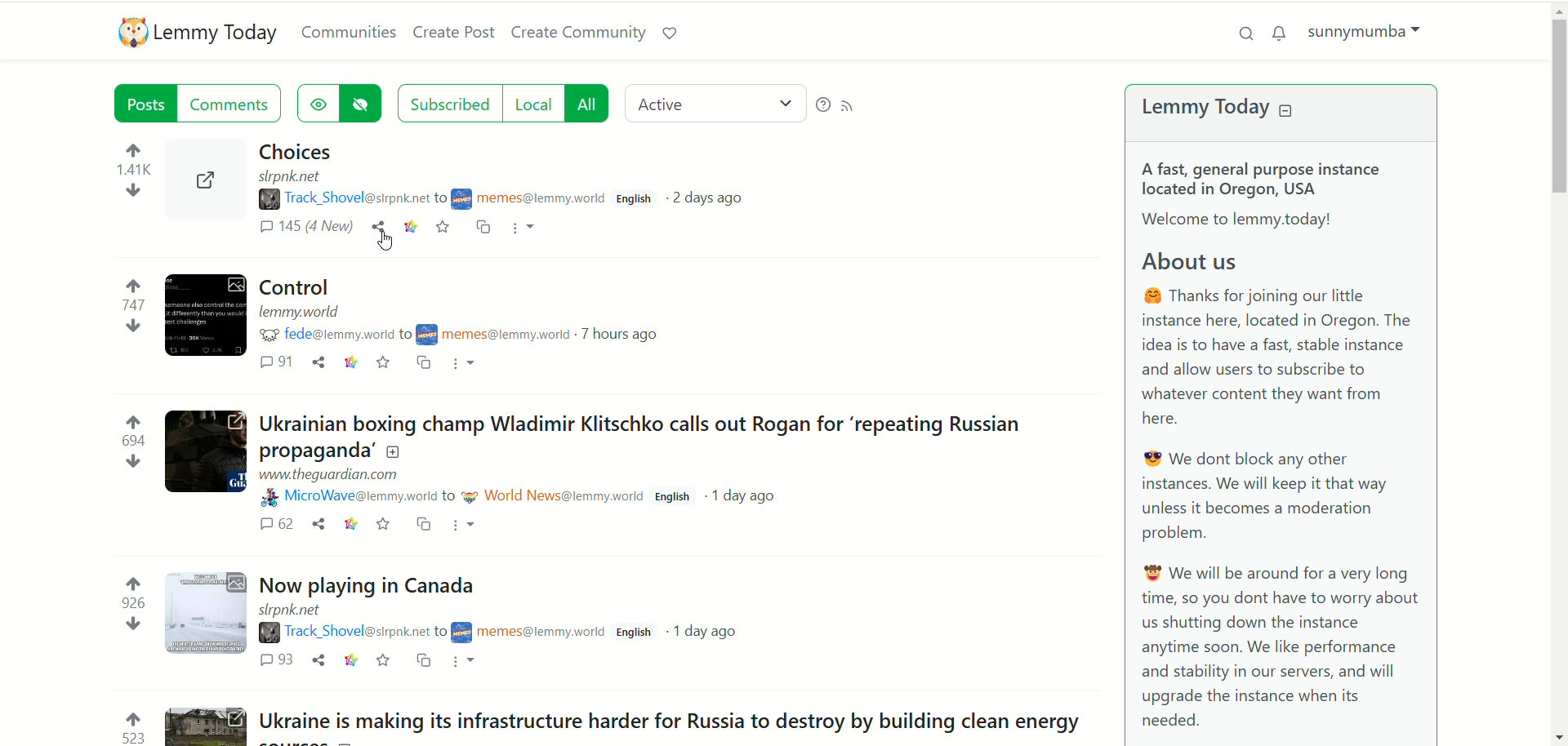  What do you see at coordinates (315, 104) in the screenshot?
I see `show hidden posts` at bounding box center [315, 104].